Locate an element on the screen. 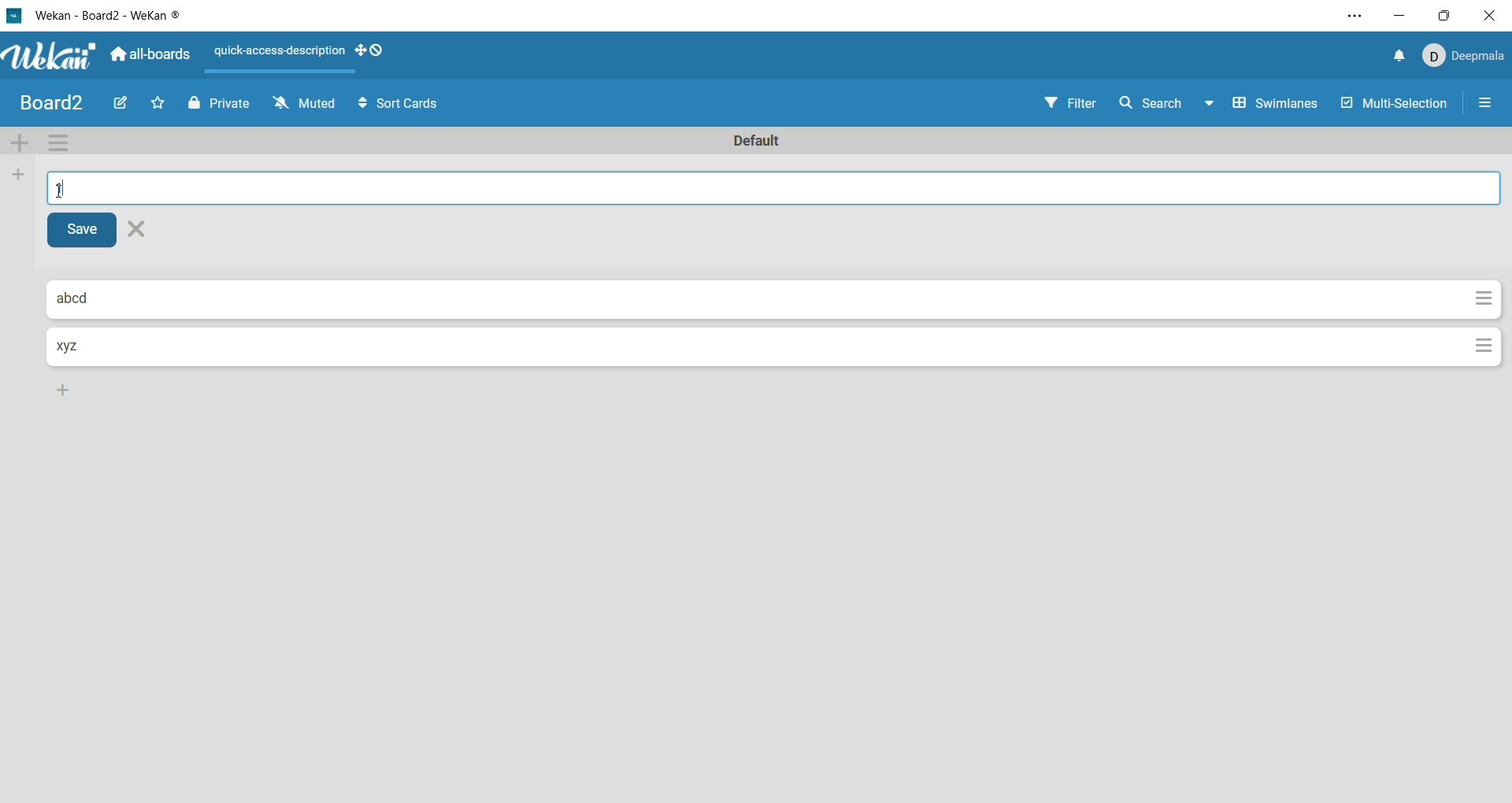  save is located at coordinates (87, 231).